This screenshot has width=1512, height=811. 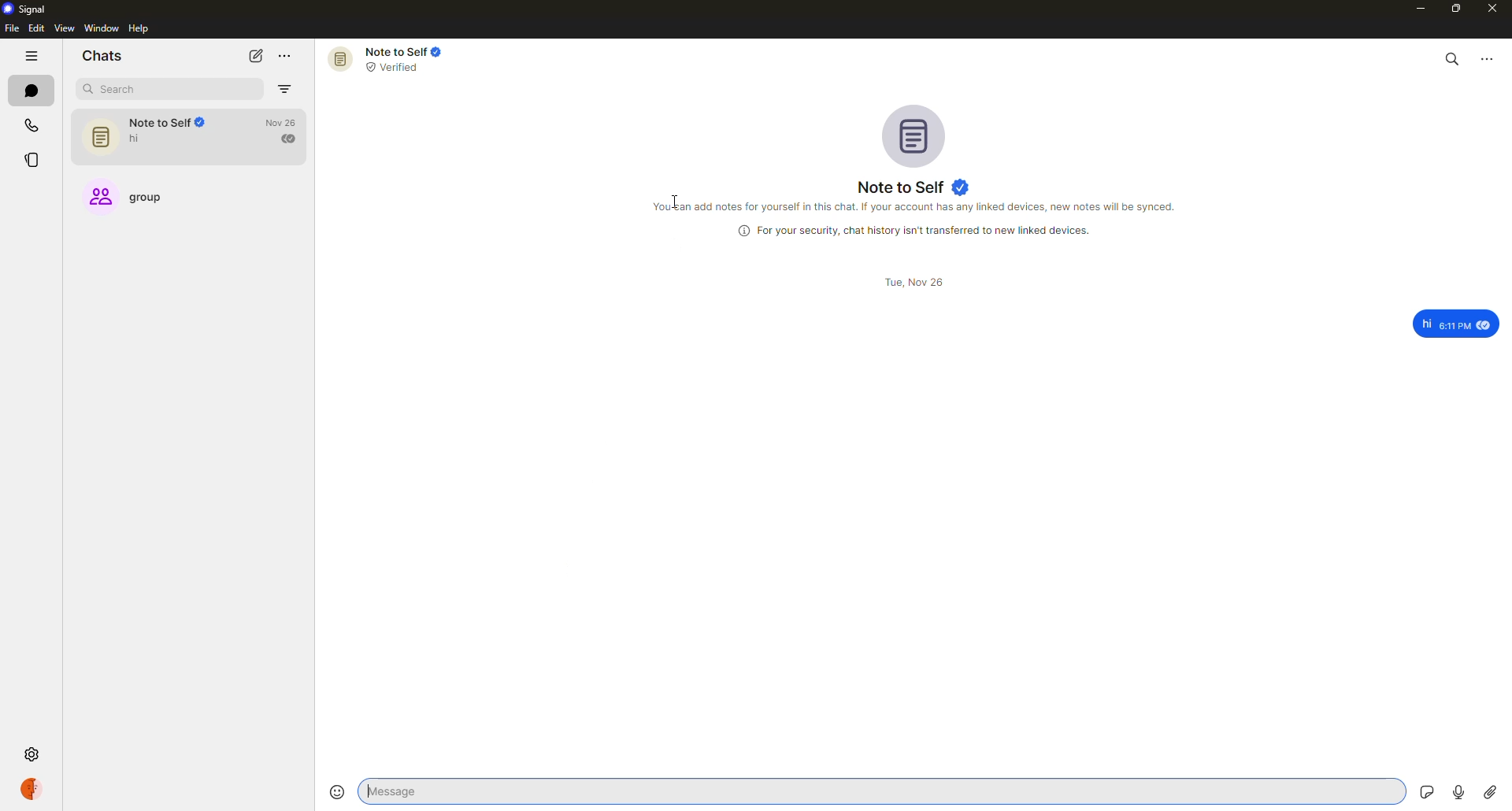 What do you see at coordinates (1456, 9) in the screenshot?
I see `maximize` at bounding box center [1456, 9].